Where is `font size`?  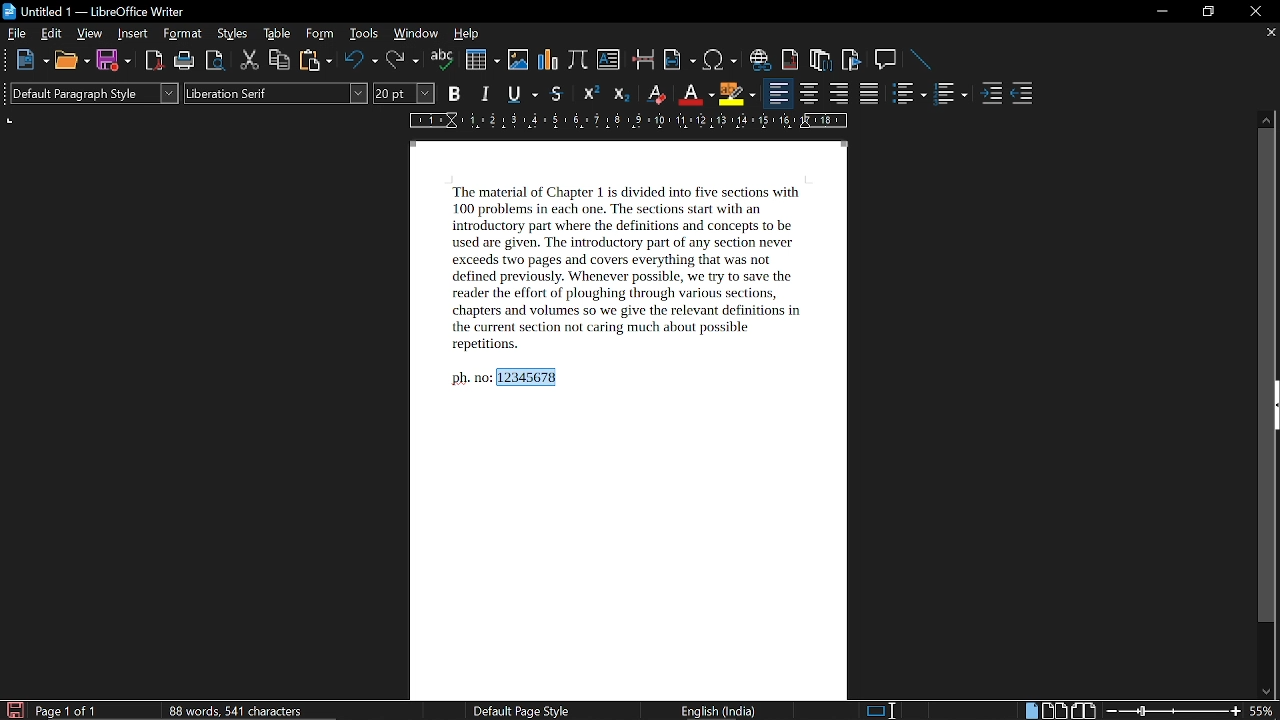 font size is located at coordinates (405, 94).